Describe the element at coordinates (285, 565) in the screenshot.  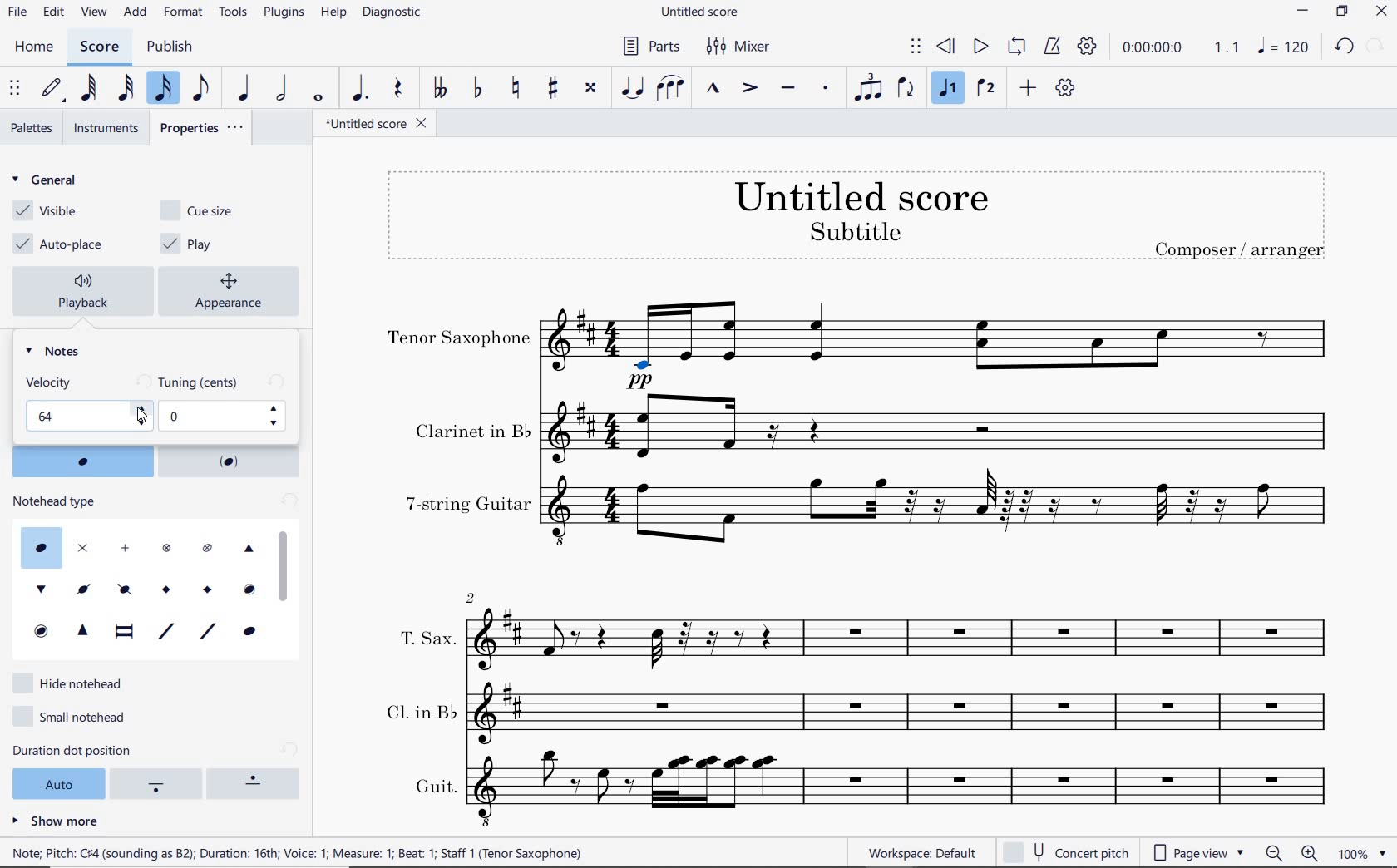
I see `cursor` at that location.